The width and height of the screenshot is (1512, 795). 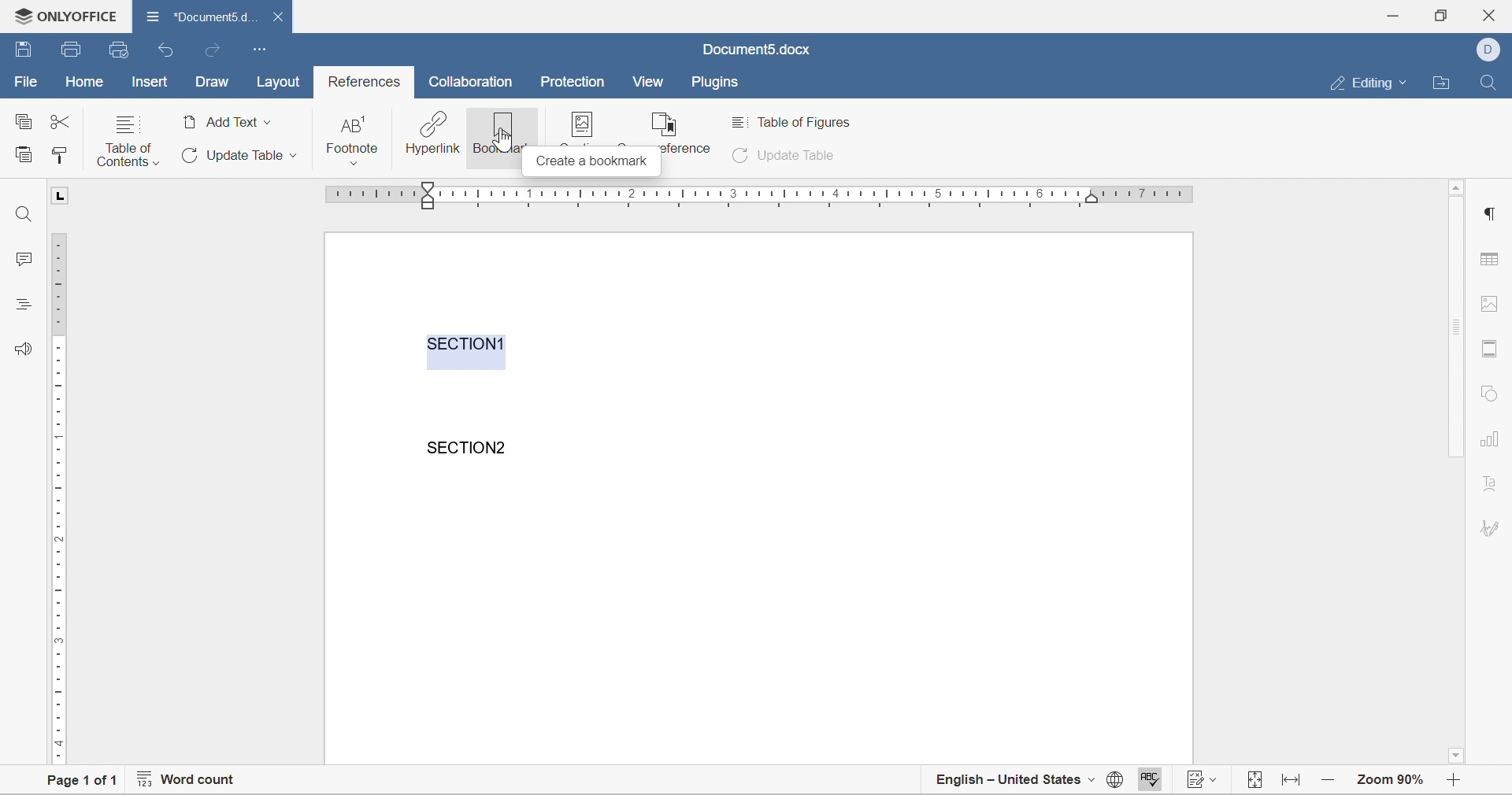 What do you see at coordinates (590, 164) in the screenshot?
I see `create a bookmark` at bounding box center [590, 164].